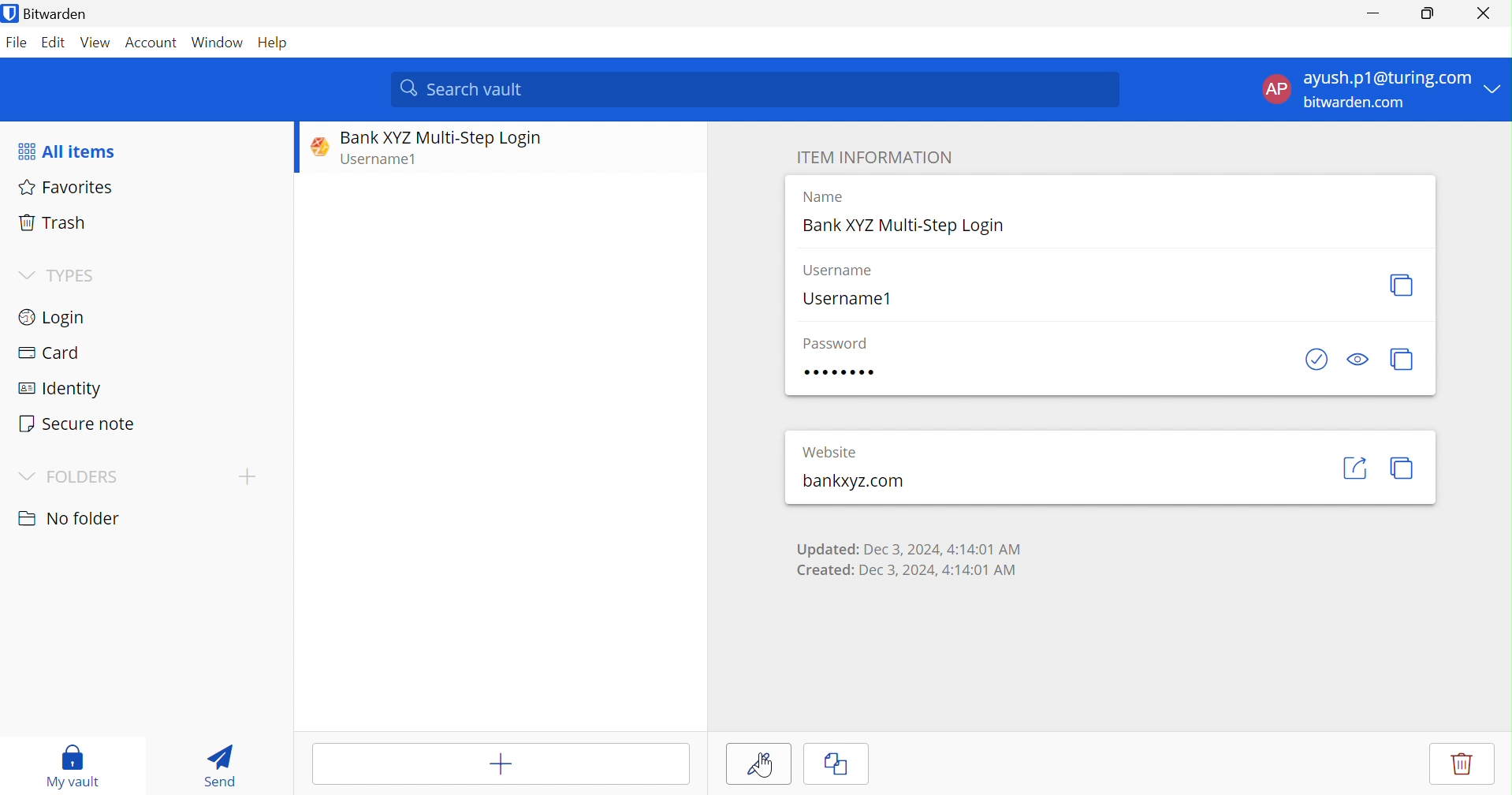 The width and height of the screenshot is (1512, 795). Describe the element at coordinates (84, 477) in the screenshot. I see `FOLDERS` at that location.